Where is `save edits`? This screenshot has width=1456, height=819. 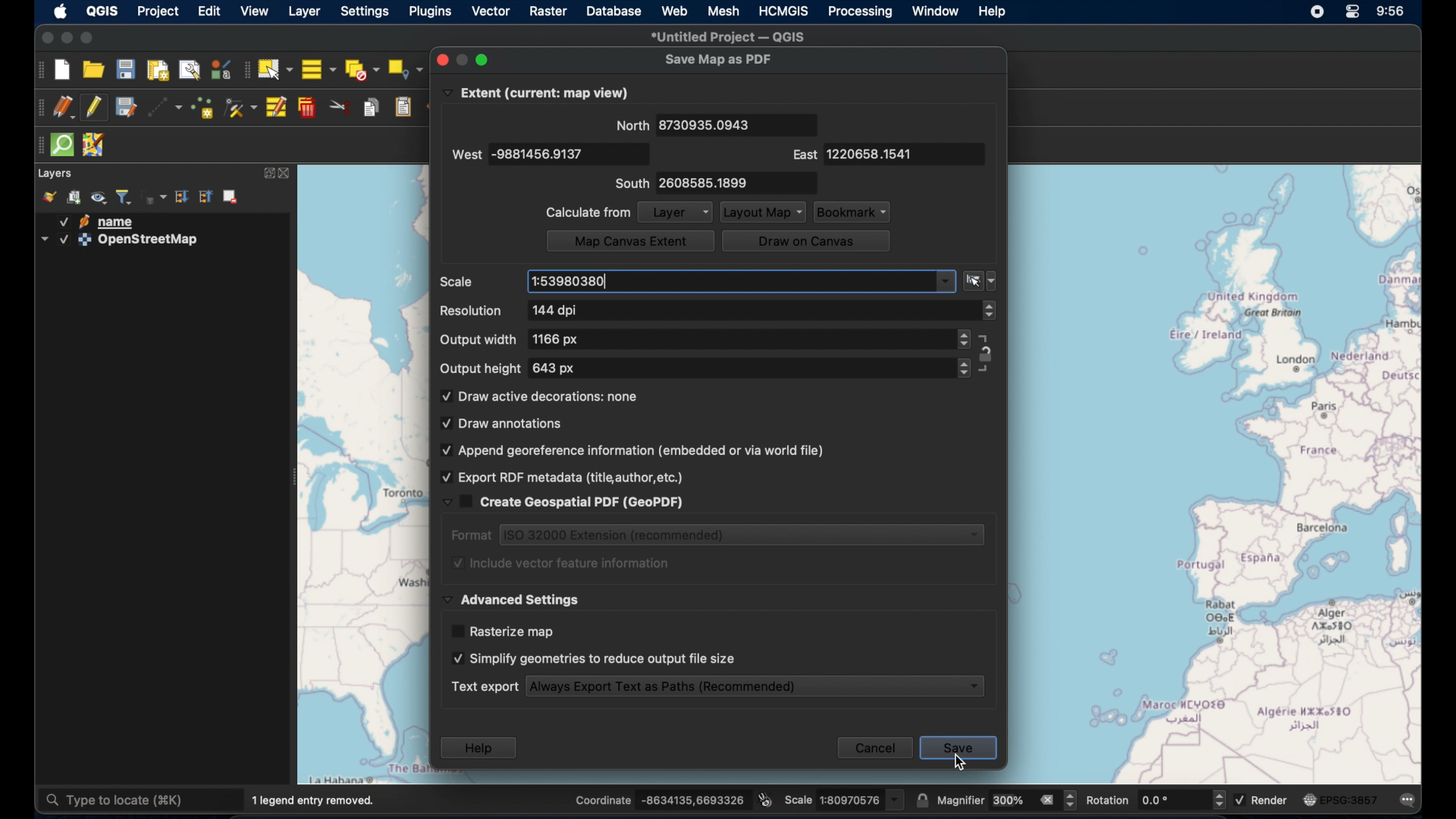 save edits is located at coordinates (125, 108).